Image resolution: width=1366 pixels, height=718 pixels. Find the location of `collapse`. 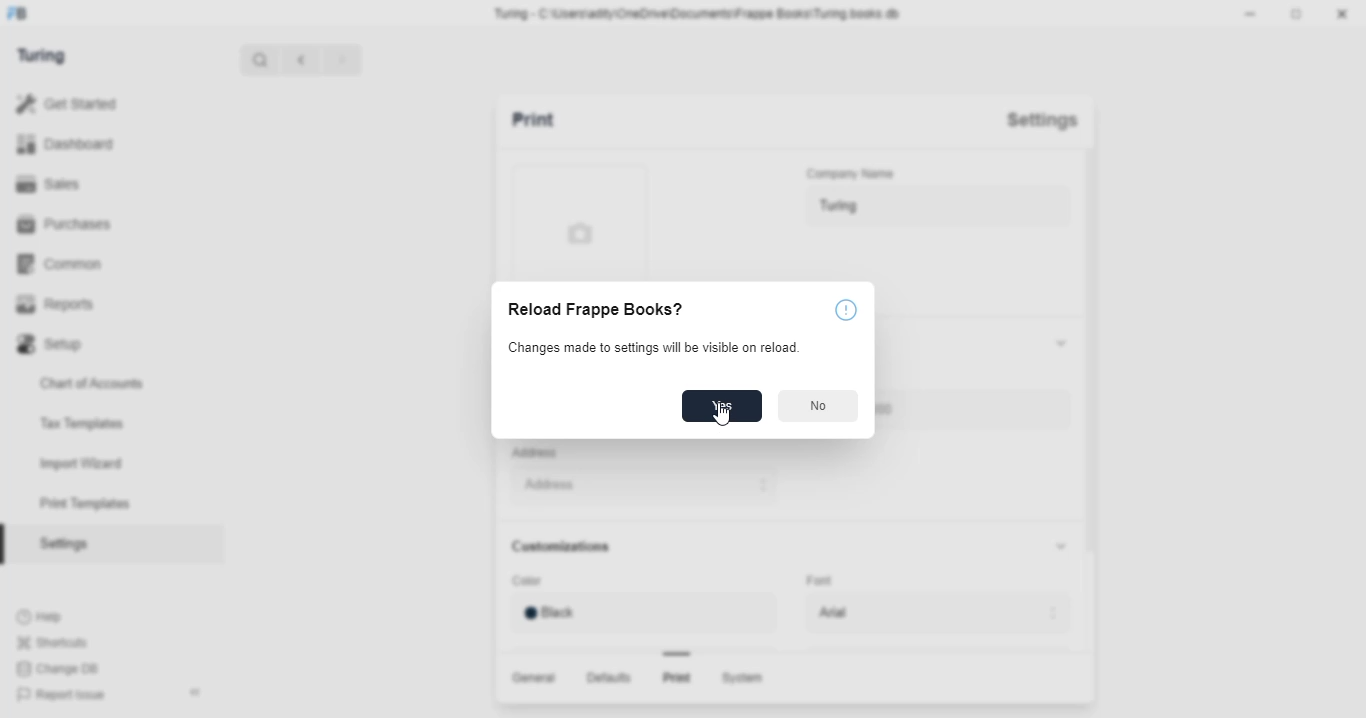

collapse is located at coordinates (1066, 553).